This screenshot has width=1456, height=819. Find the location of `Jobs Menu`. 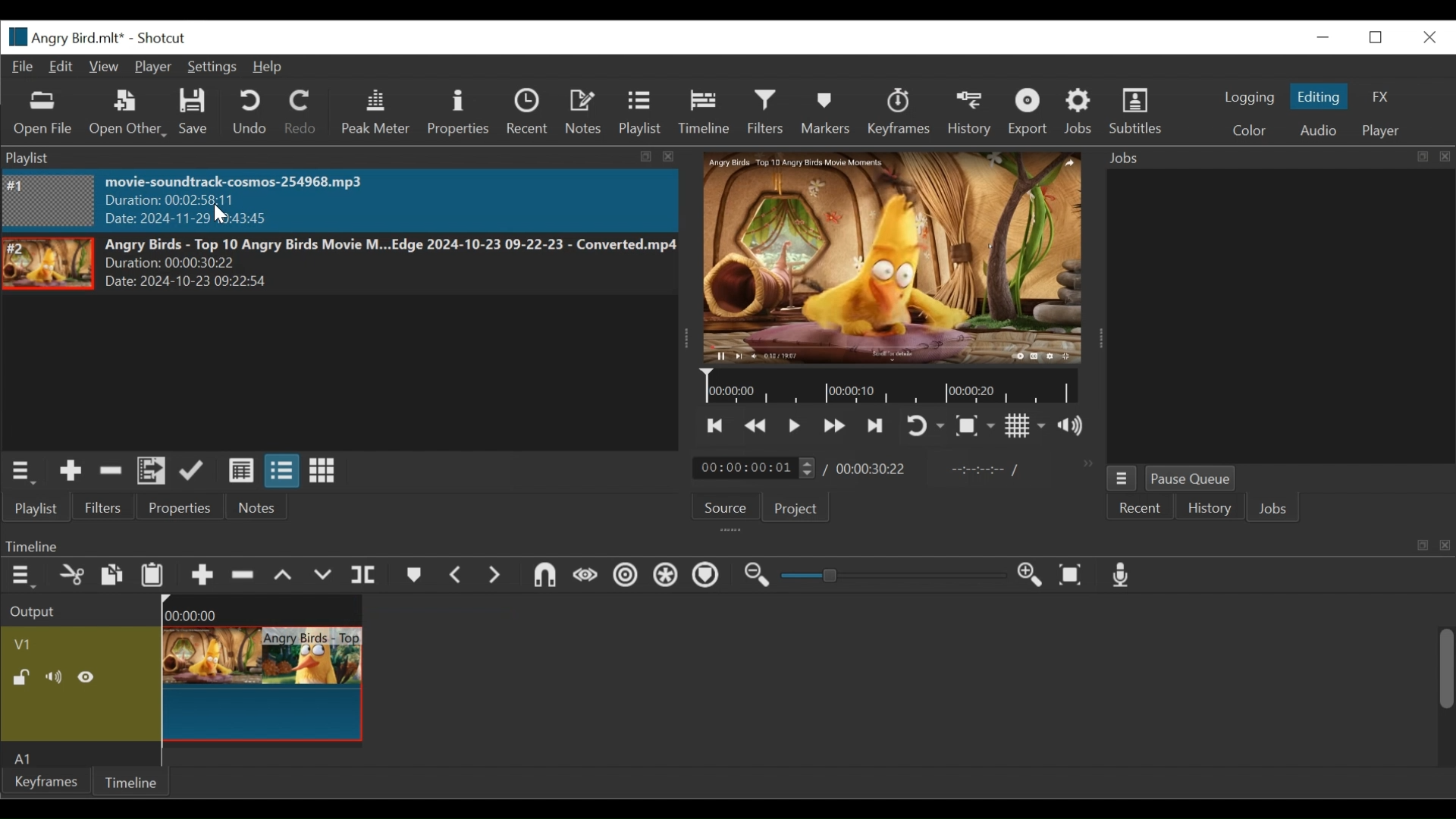

Jobs Menu is located at coordinates (1122, 478).